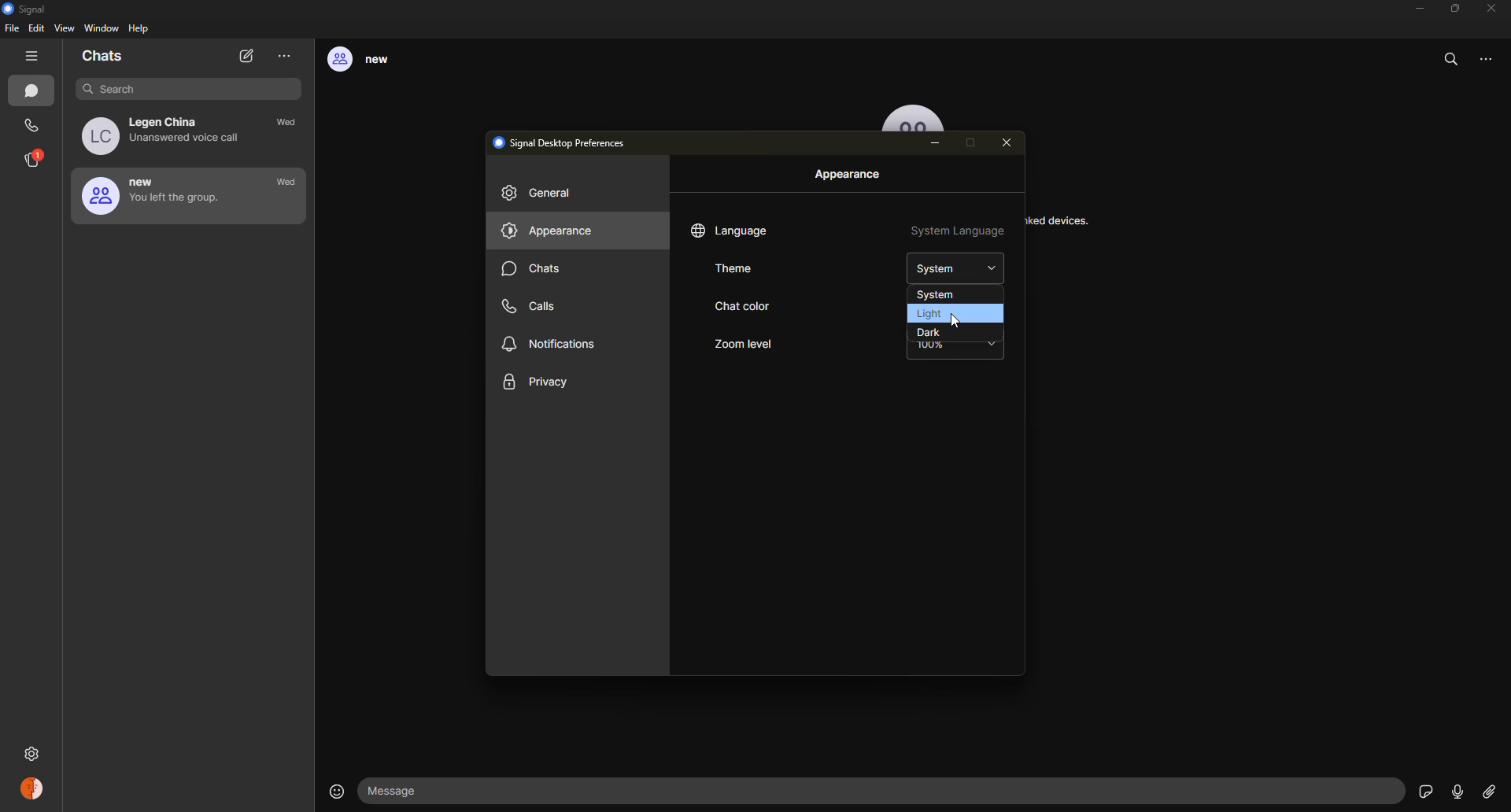 This screenshot has width=1511, height=812. Describe the element at coordinates (1415, 9) in the screenshot. I see `minimize` at that location.